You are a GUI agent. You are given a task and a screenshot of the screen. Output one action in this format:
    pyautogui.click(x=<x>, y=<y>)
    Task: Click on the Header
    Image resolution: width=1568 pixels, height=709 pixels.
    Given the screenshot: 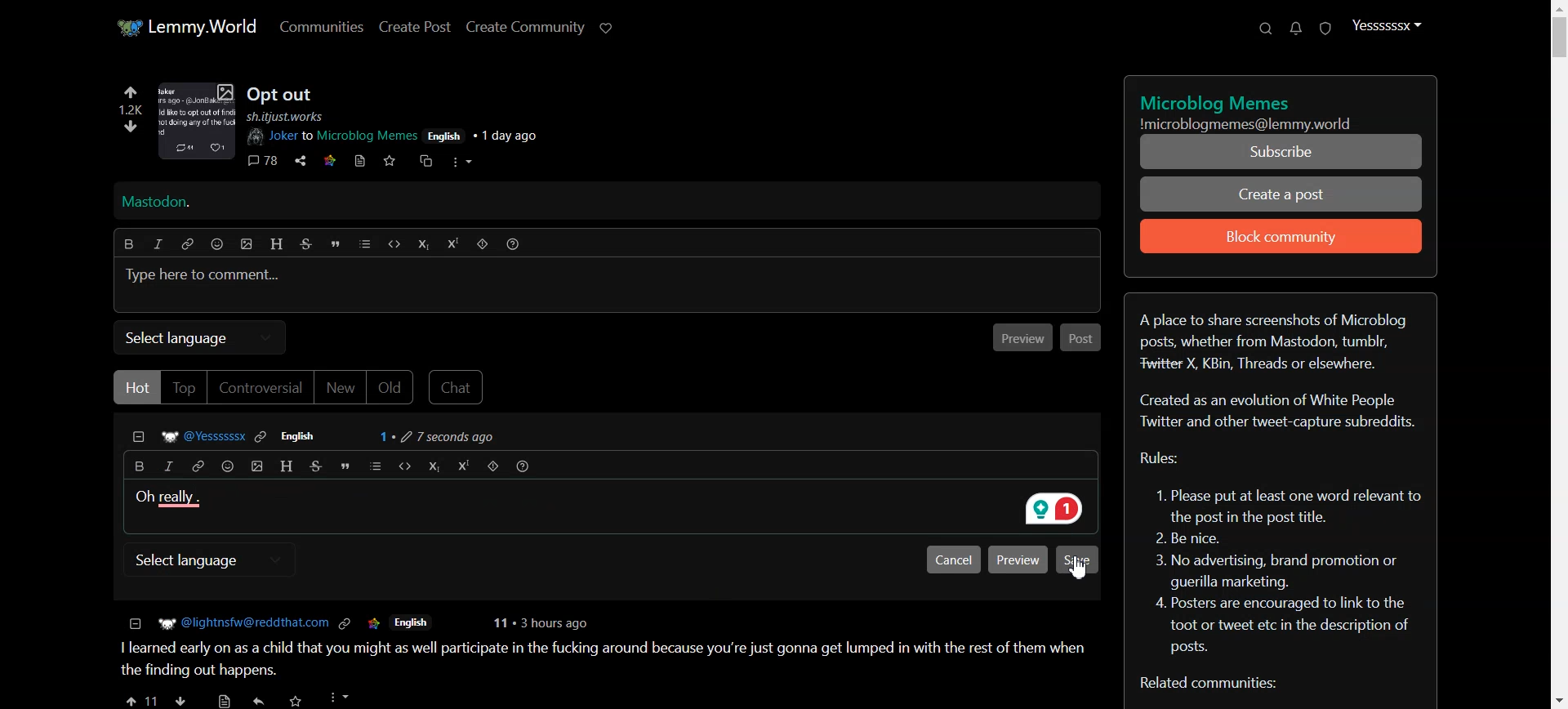 What is the action you would take?
    pyautogui.click(x=277, y=244)
    